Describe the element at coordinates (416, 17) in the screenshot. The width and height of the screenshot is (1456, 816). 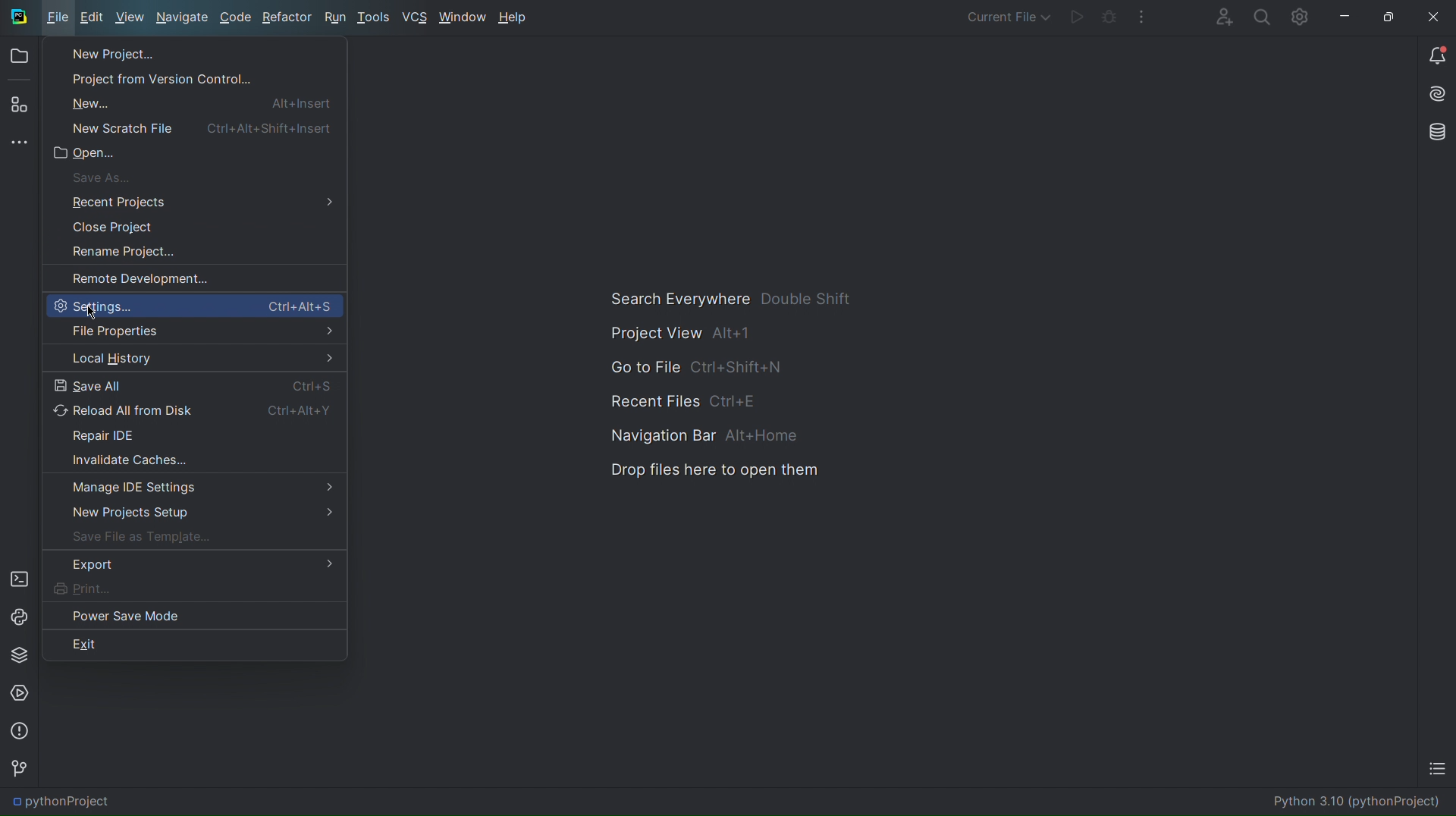
I see `VCS` at that location.